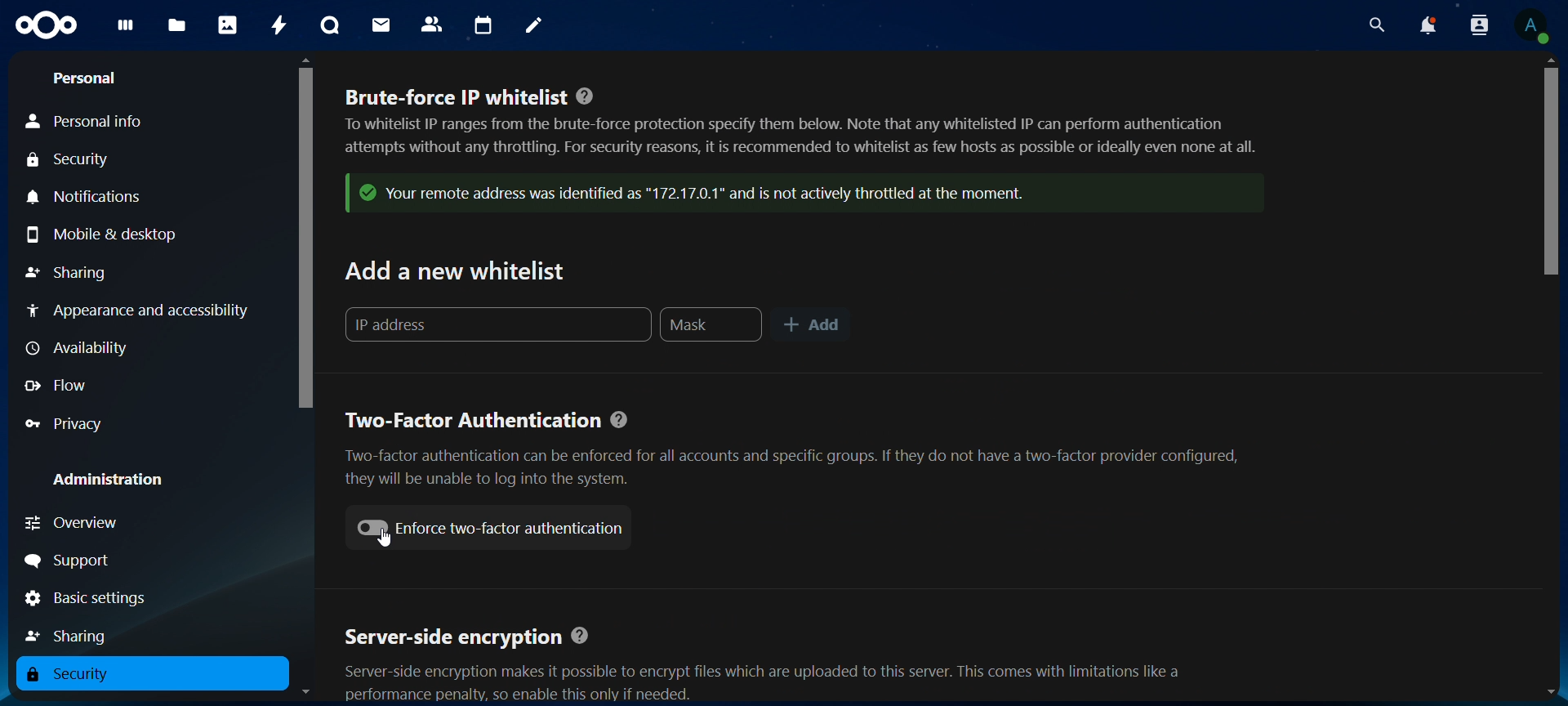 Image resolution: width=1568 pixels, height=706 pixels. What do you see at coordinates (72, 636) in the screenshot?
I see `haring` at bounding box center [72, 636].